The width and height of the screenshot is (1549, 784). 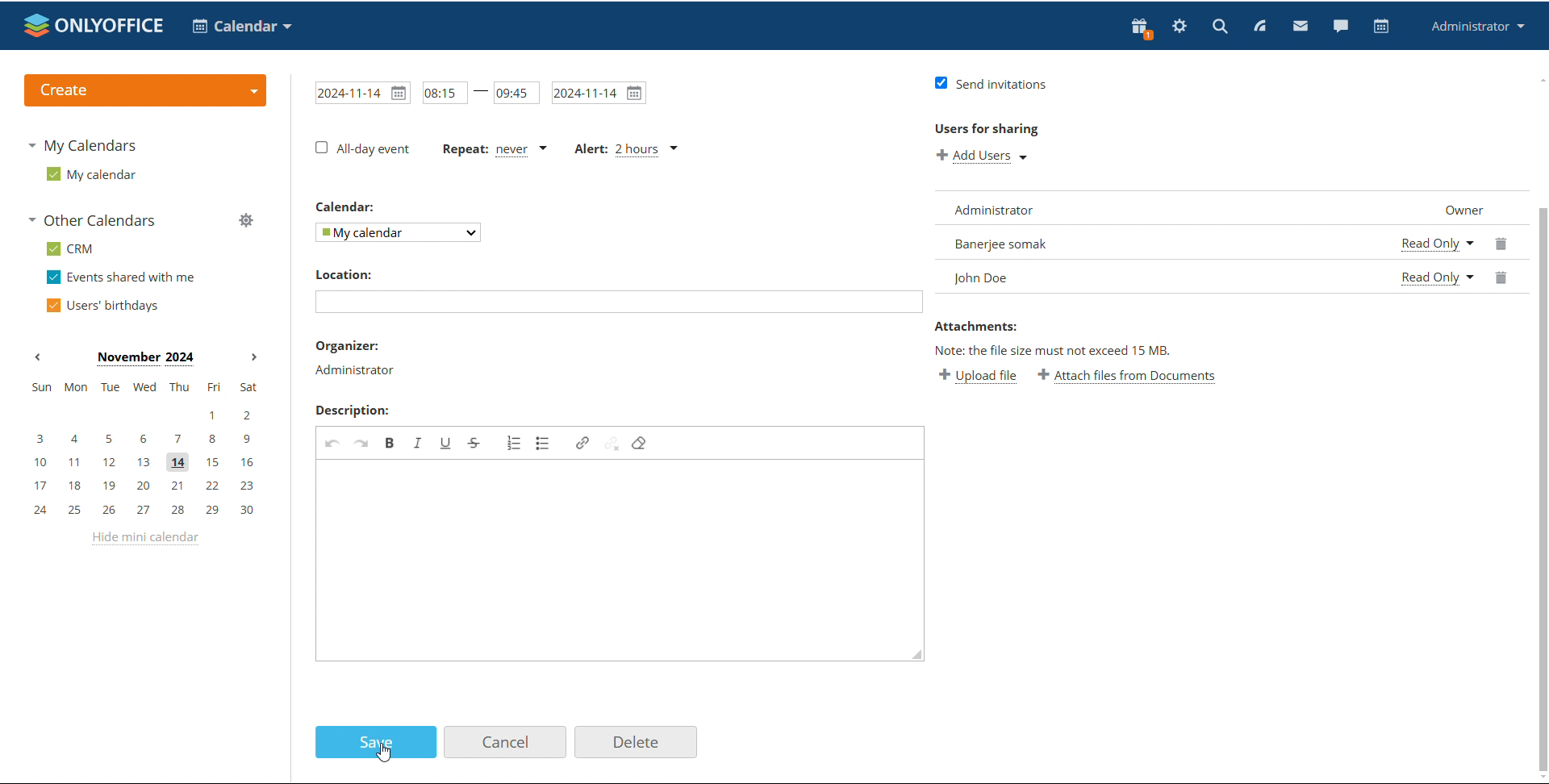 I want to click on 17, 18, 19, 20, 21, 22, 23, so click(x=144, y=486).